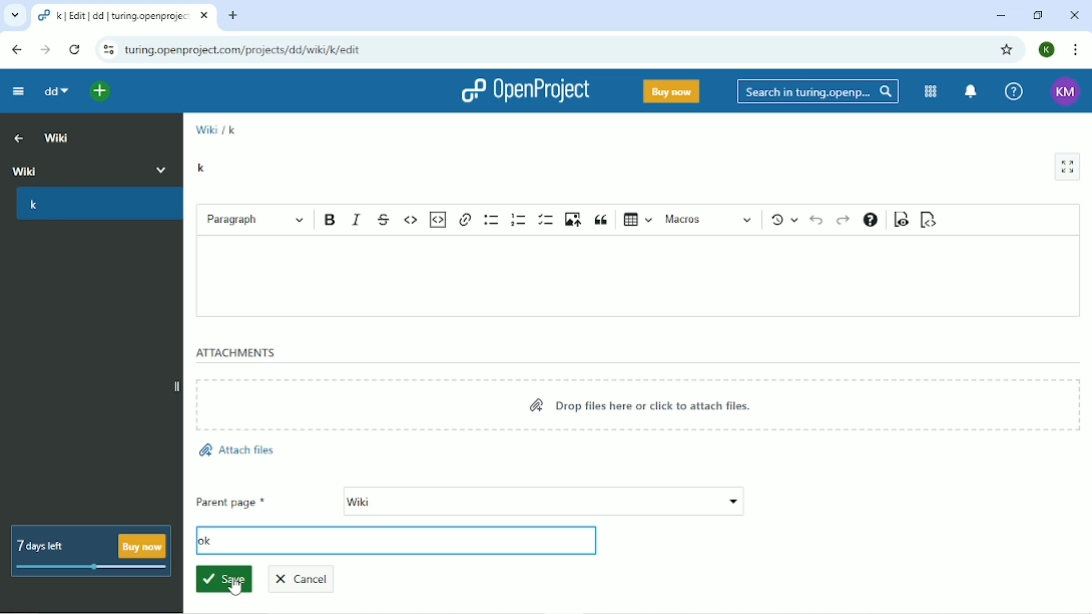 The width and height of the screenshot is (1092, 614). I want to click on Wiki, so click(58, 137).